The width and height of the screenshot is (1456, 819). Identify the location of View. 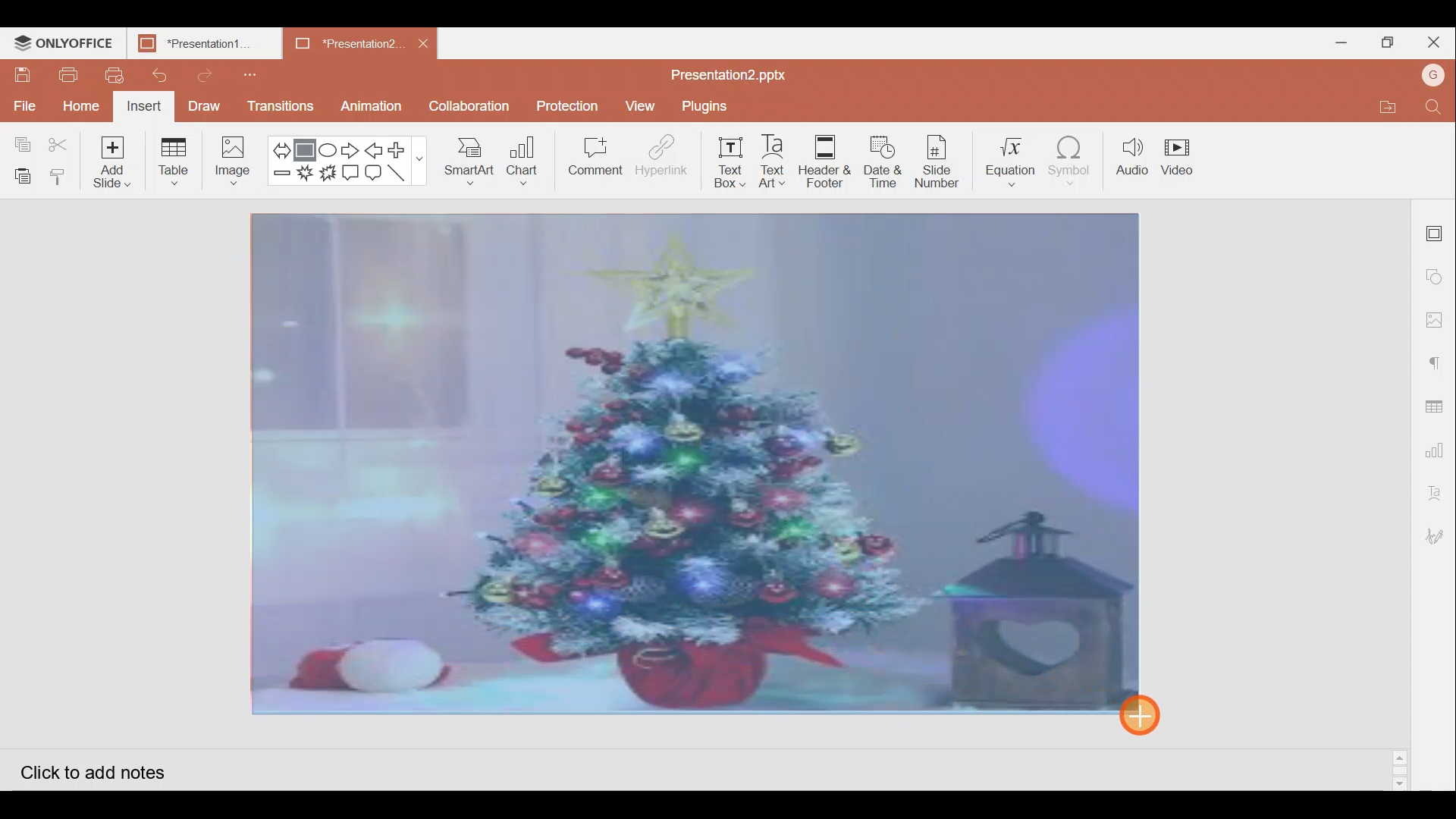
(638, 106).